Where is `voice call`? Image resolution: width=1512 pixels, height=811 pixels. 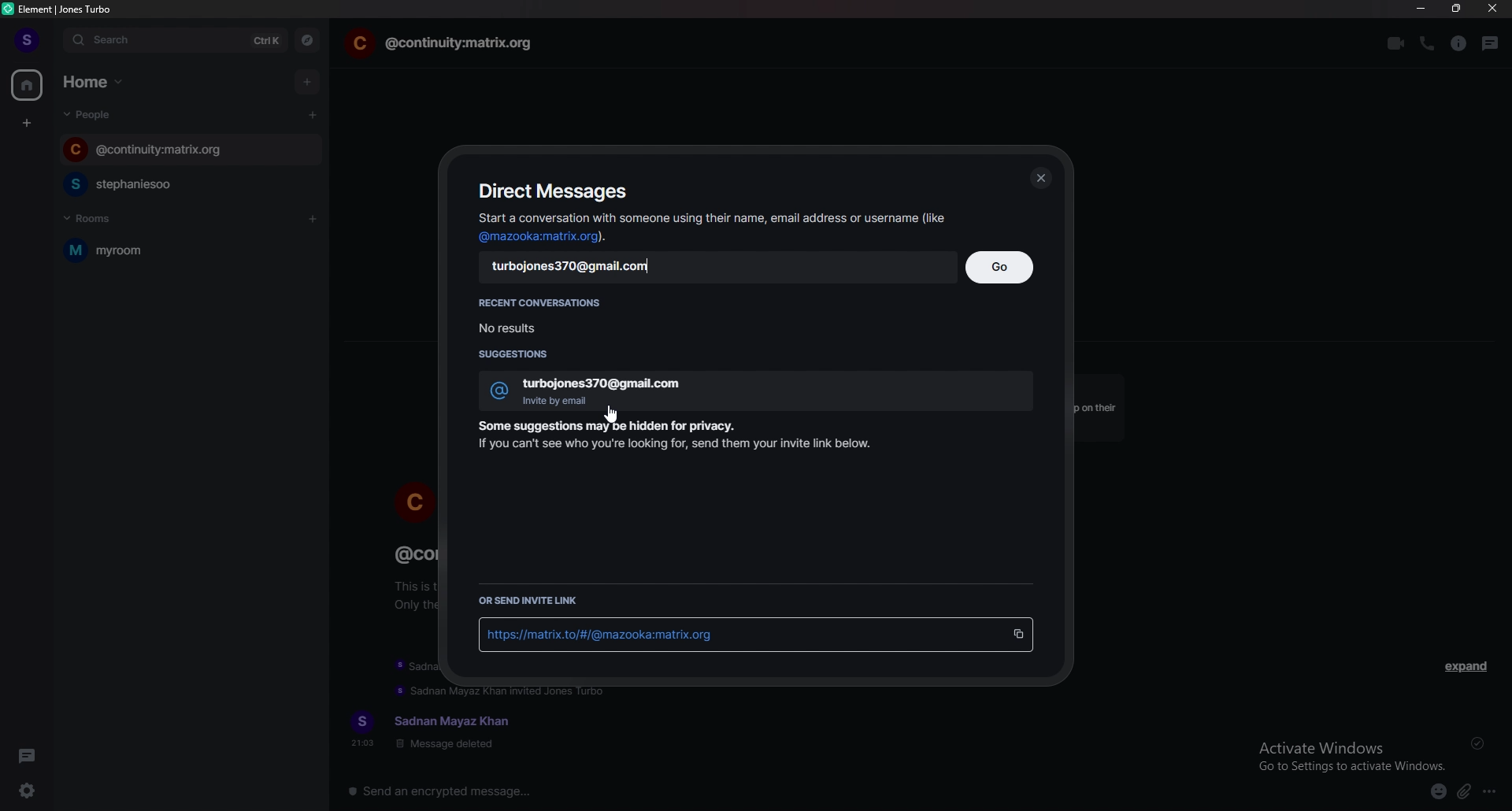
voice call is located at coordinates (1425, 43).